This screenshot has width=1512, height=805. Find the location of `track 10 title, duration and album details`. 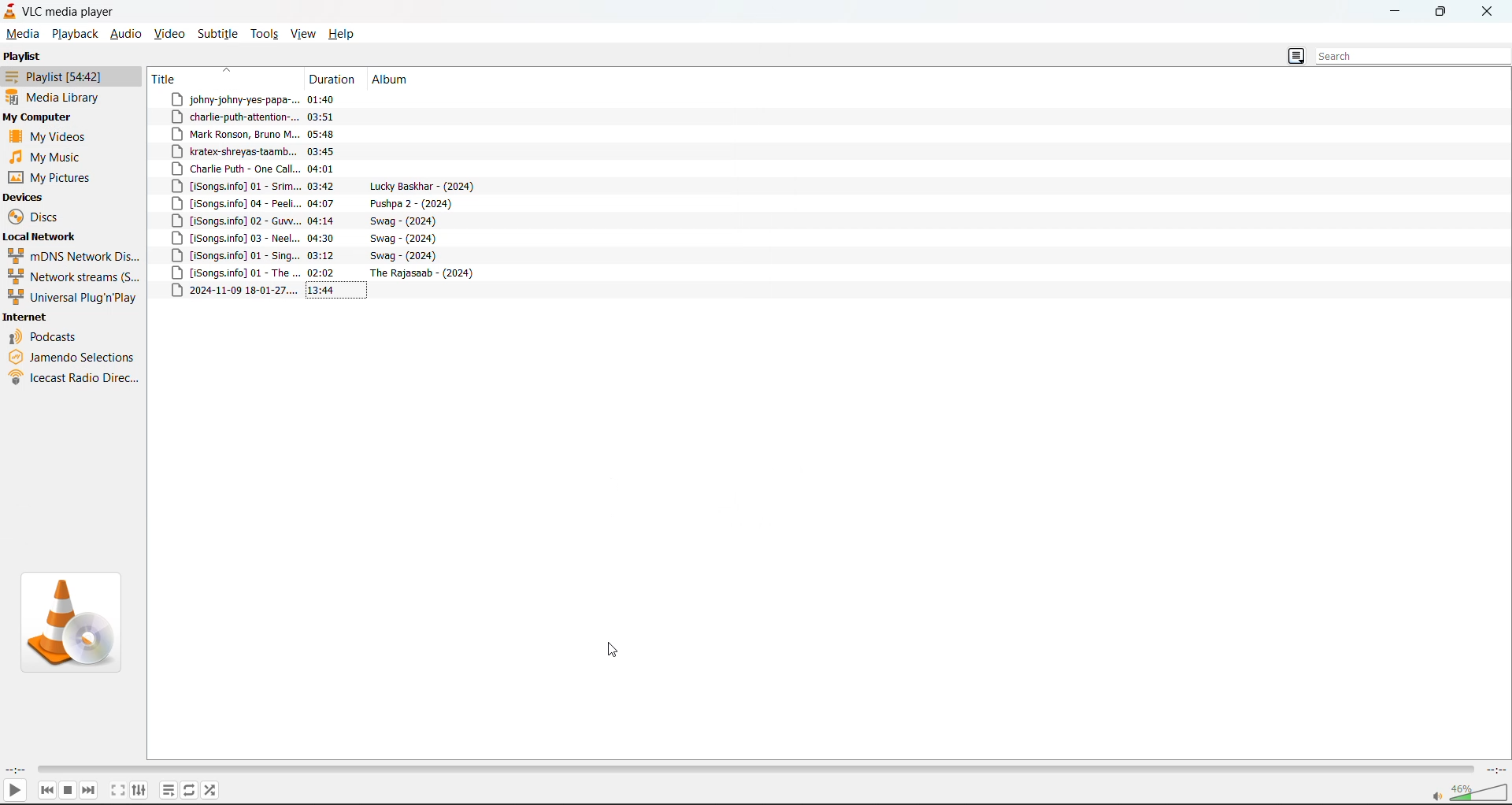

track 10 title, duration and album details is located at coordinates (313, 258).